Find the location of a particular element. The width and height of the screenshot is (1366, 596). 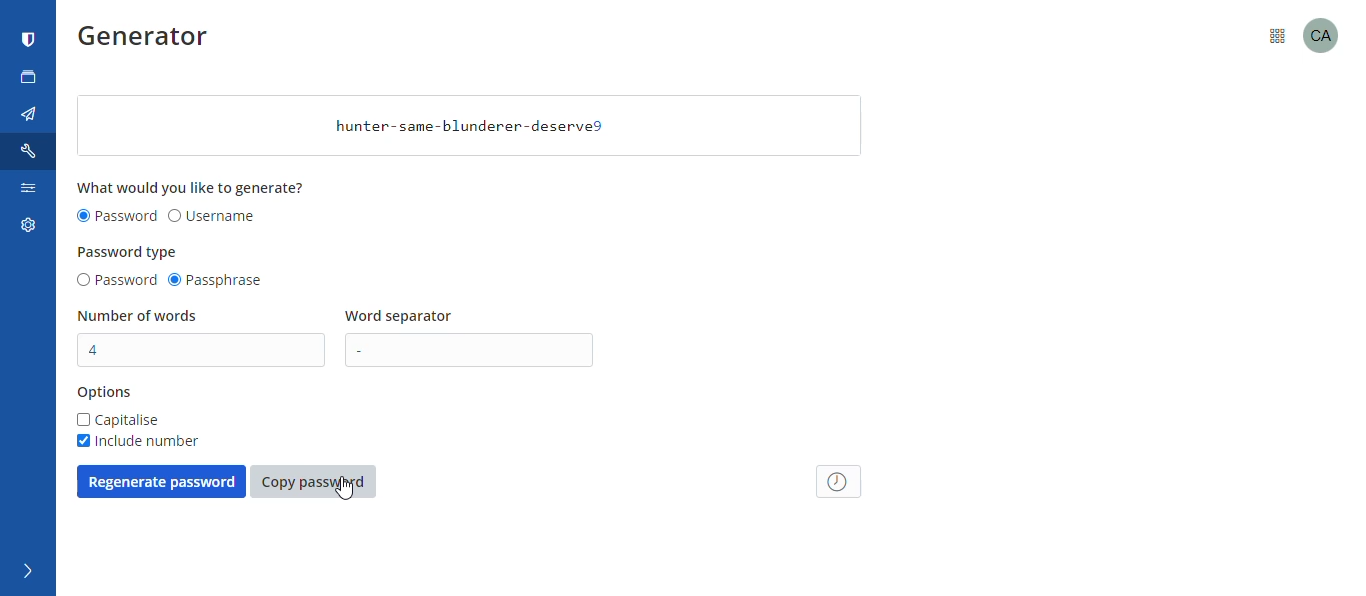

include number is located at coordinates (136, 441).